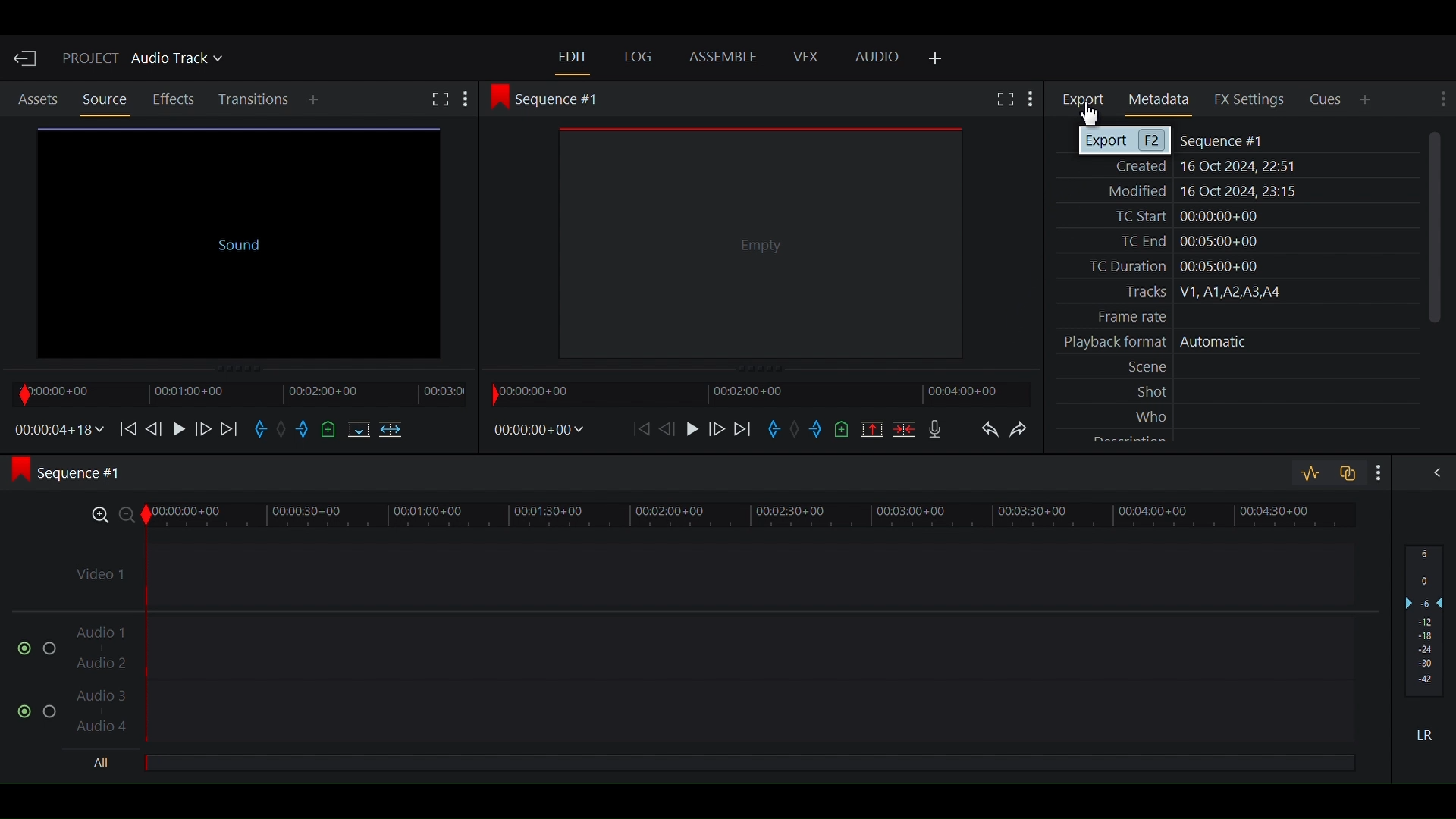 Image resolution: width=1456 pixels, height=819 pixels. Describe the element at coordinates (234, 393) in the screenshot. I see `Timeline` at that location.